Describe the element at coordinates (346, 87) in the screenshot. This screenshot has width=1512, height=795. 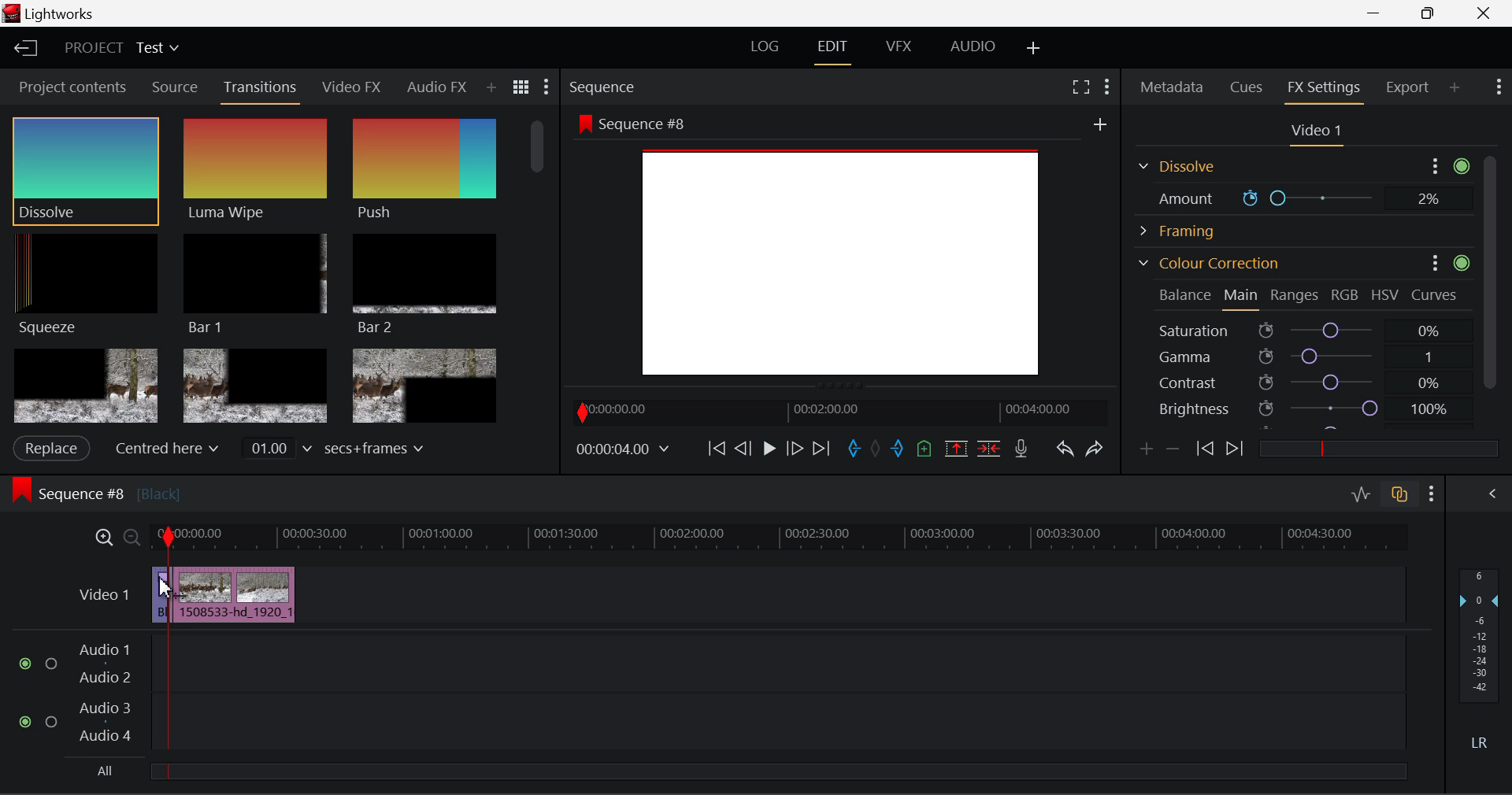
I see `Video FX` at that location.